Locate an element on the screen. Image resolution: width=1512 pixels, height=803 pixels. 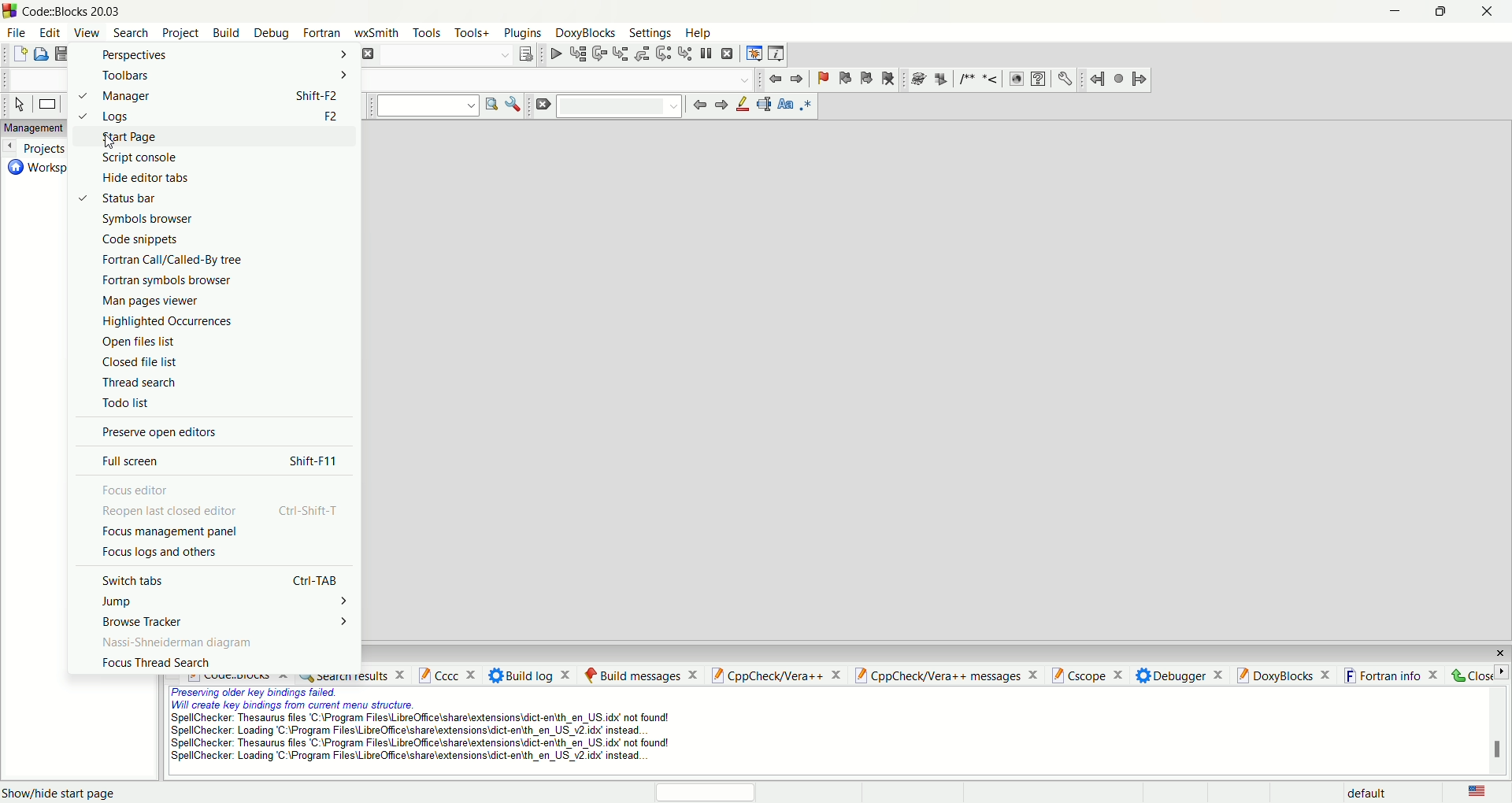
vertical scroll bar is located at coordinates (1495, 731).